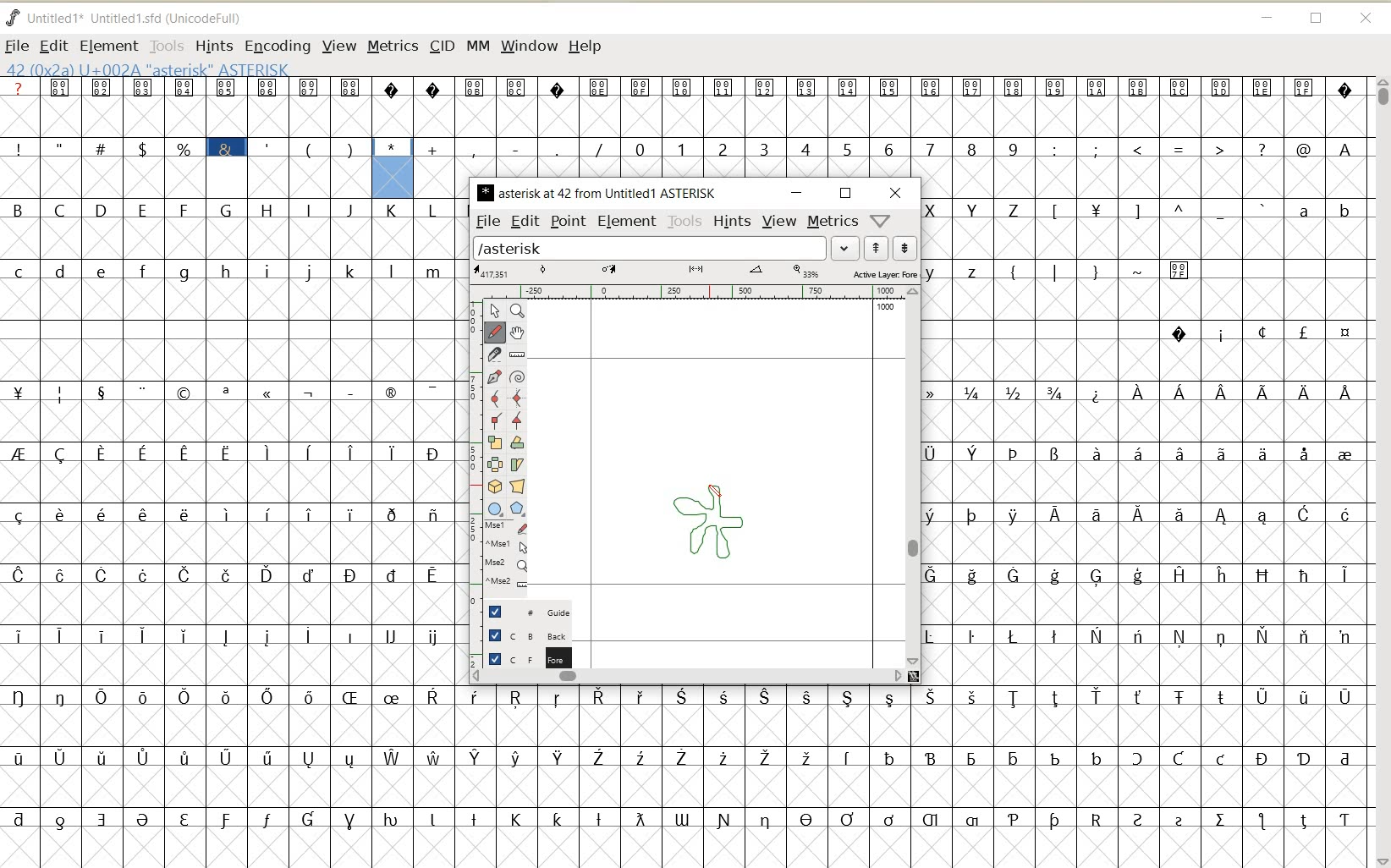 This screenshot has width=1391, height=868. What do you see at coordinates (650, 248) in the screenshot?
I see `load word list` at bounding box center [650, 248].